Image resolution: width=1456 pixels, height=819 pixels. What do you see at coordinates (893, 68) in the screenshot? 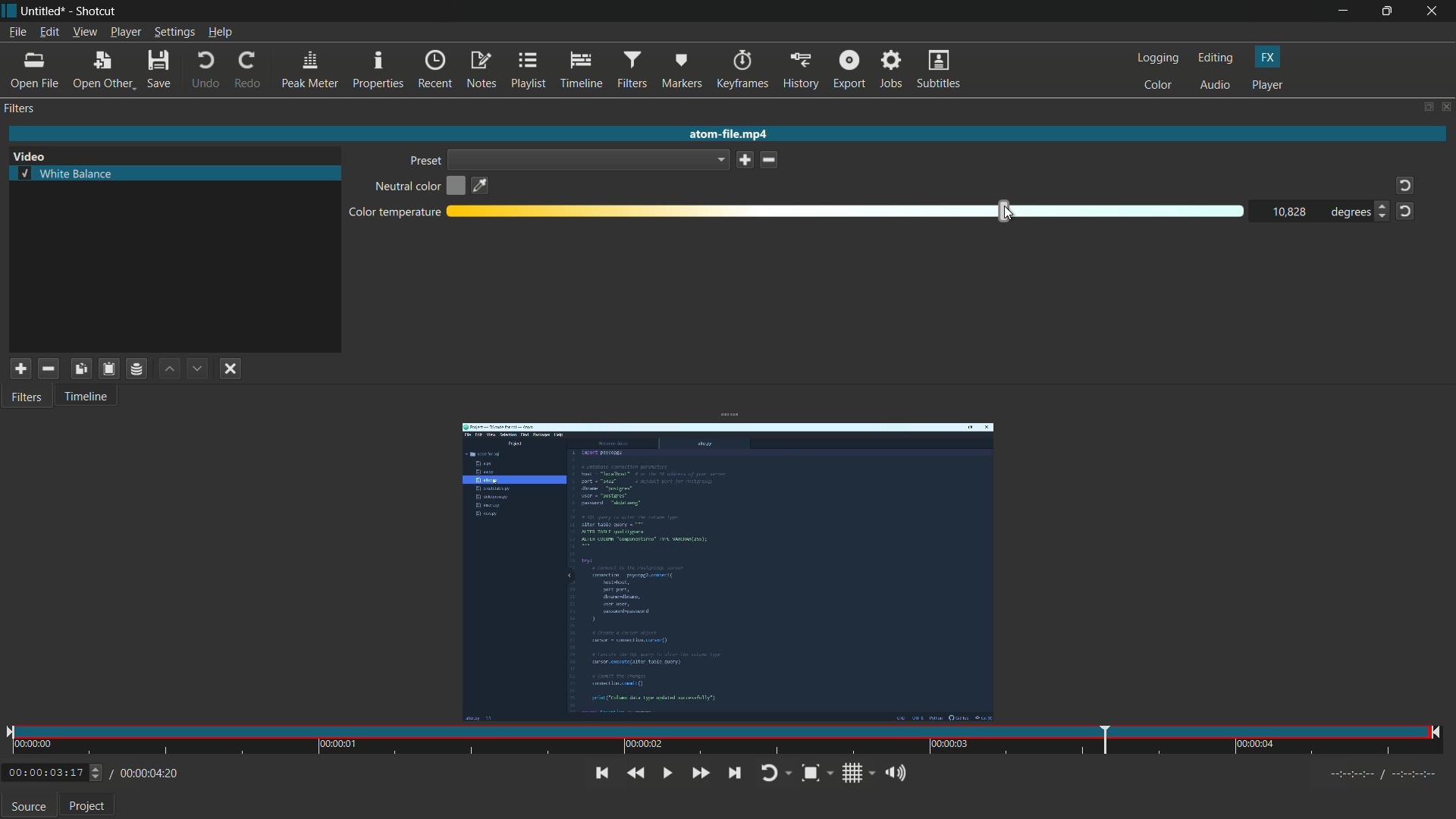
I see `jobs` at bounding box center [893, 68].